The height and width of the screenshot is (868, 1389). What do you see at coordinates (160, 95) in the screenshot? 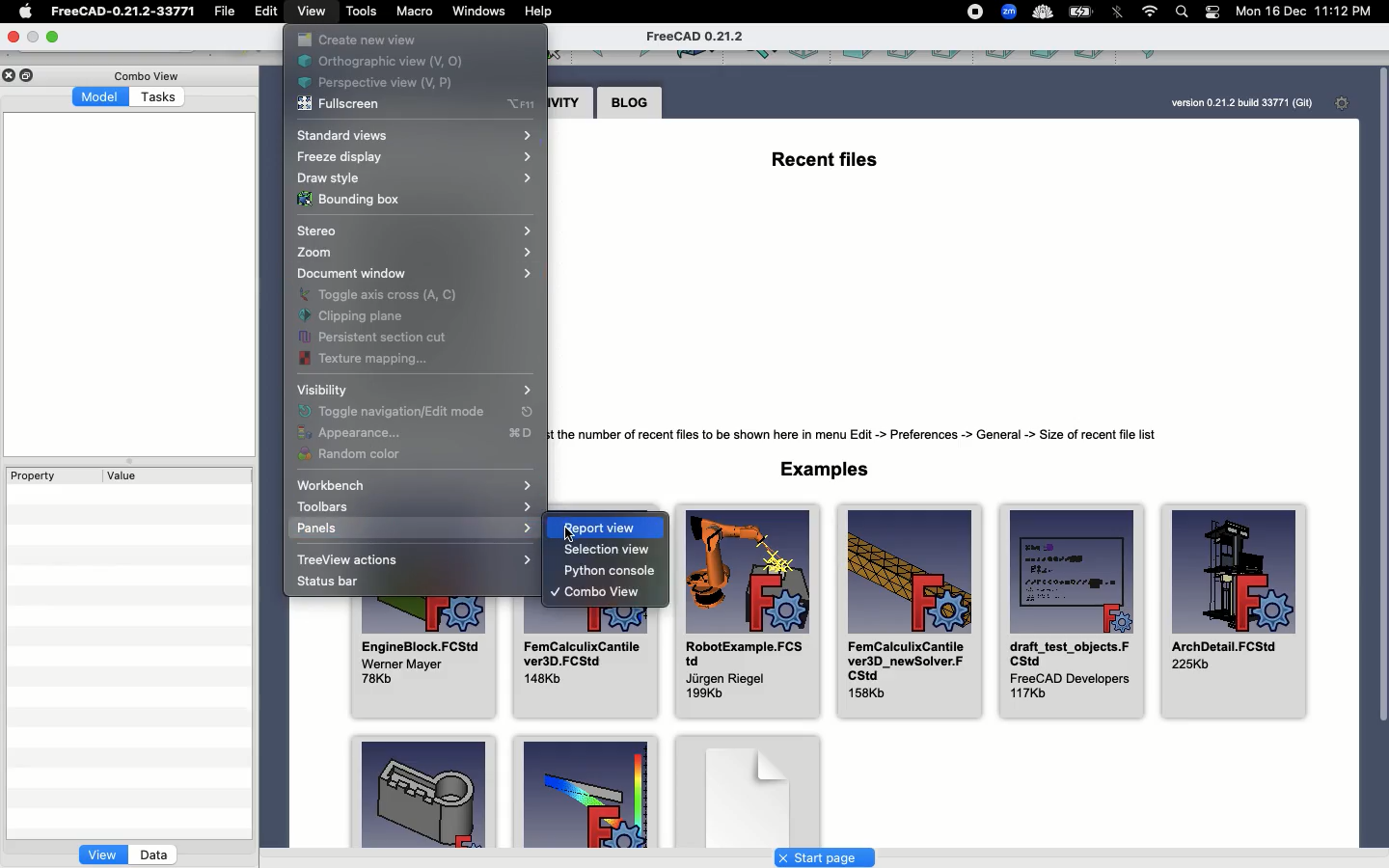
I see `Tasks` at bounding box center [160, 95].